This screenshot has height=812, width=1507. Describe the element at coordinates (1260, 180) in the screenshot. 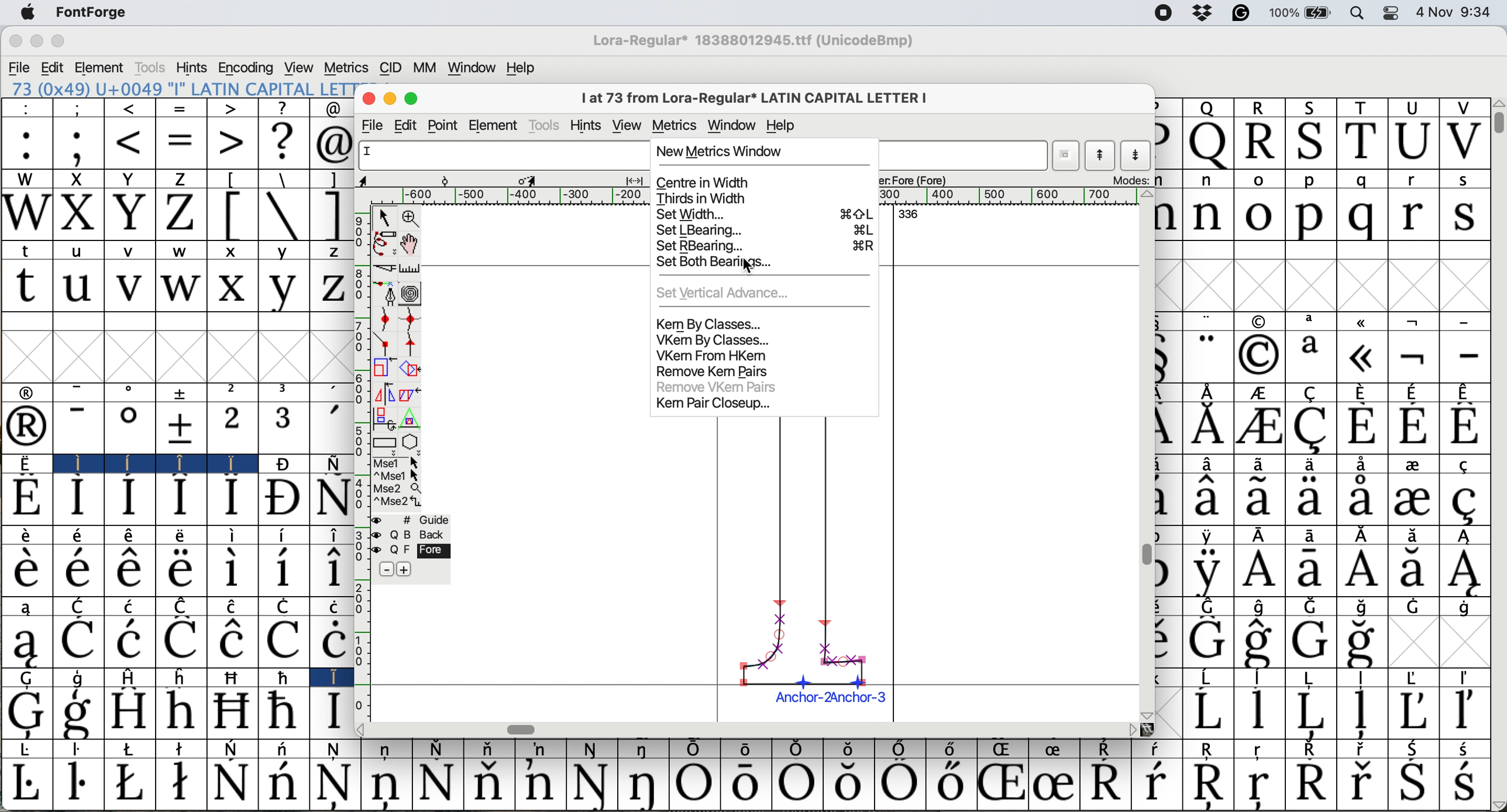

I see `o` at that location.